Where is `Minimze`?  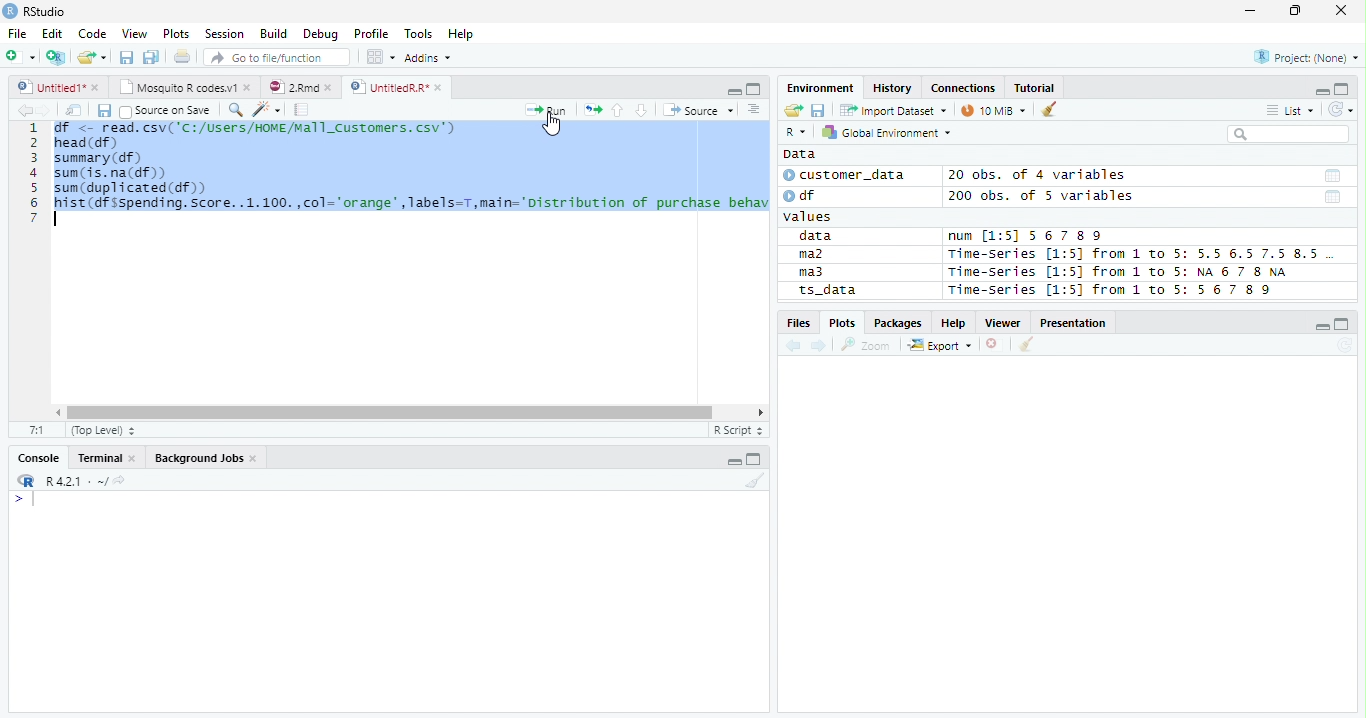 Minimze is located at coordinates (1320, 90).